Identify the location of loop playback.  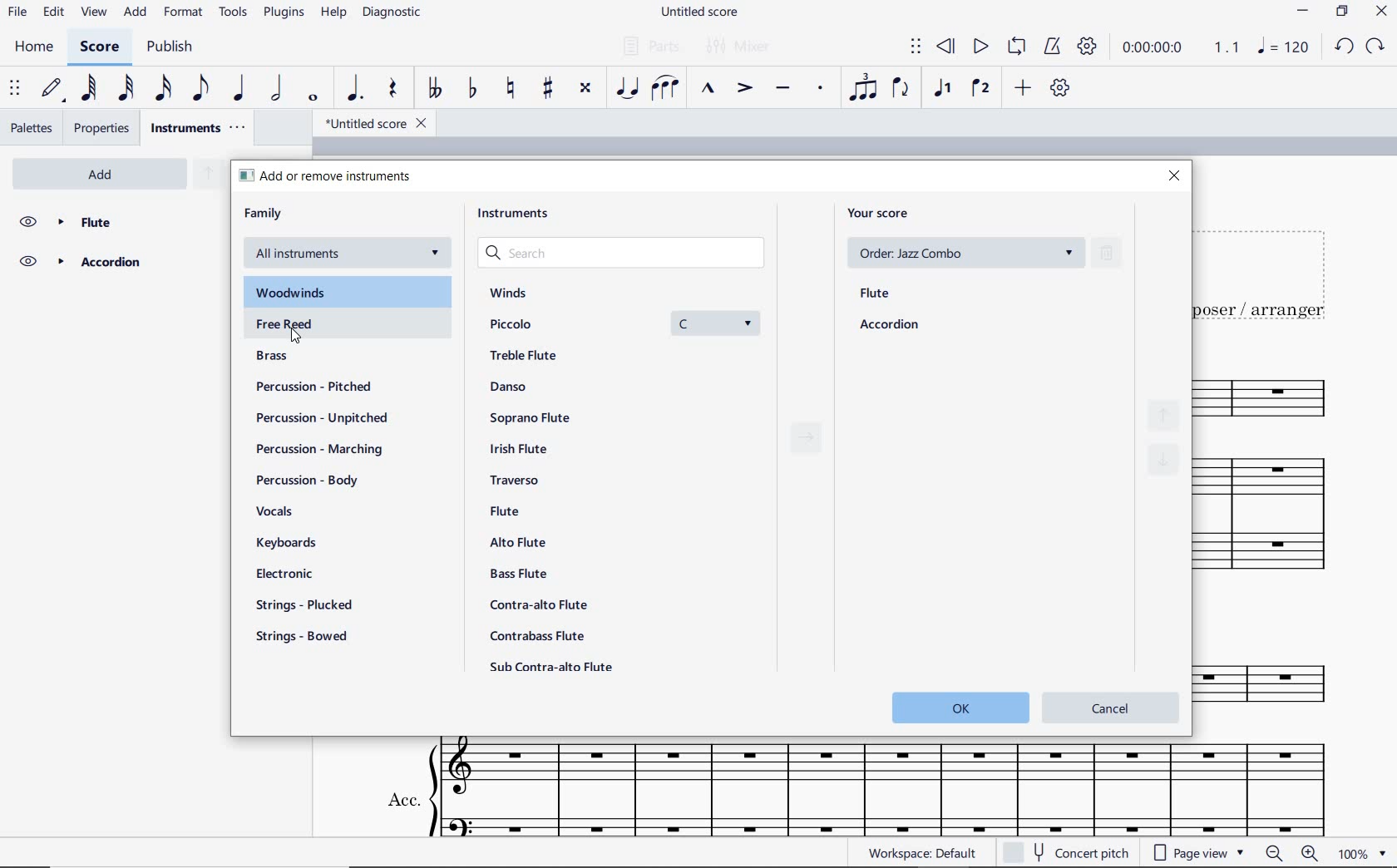
(1017, 47).